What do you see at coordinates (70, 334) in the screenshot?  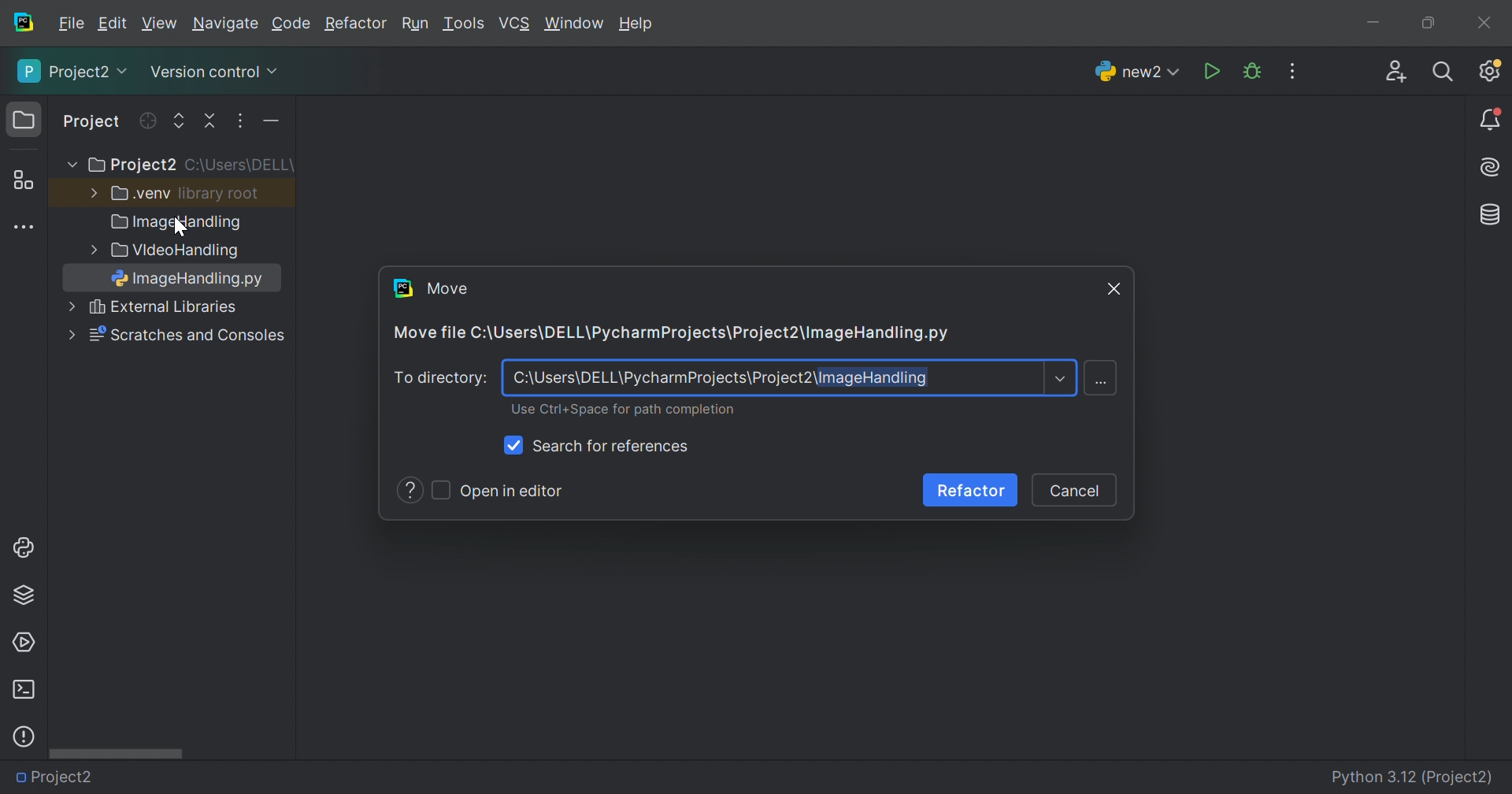 I see `More` at bounding box center [70, 334].